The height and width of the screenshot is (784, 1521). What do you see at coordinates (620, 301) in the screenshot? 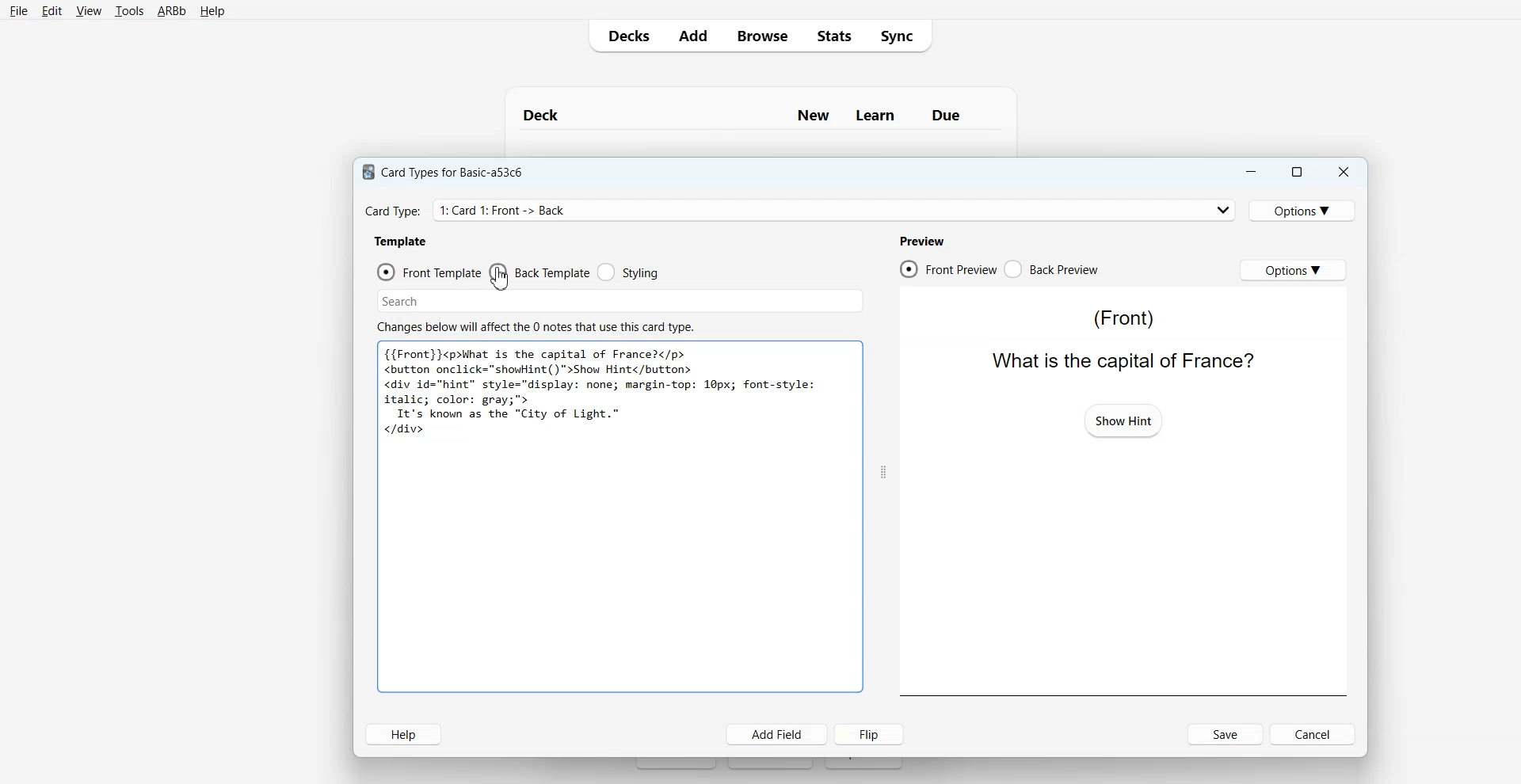
I see `Search Bar` at bounding box center [620, 301].